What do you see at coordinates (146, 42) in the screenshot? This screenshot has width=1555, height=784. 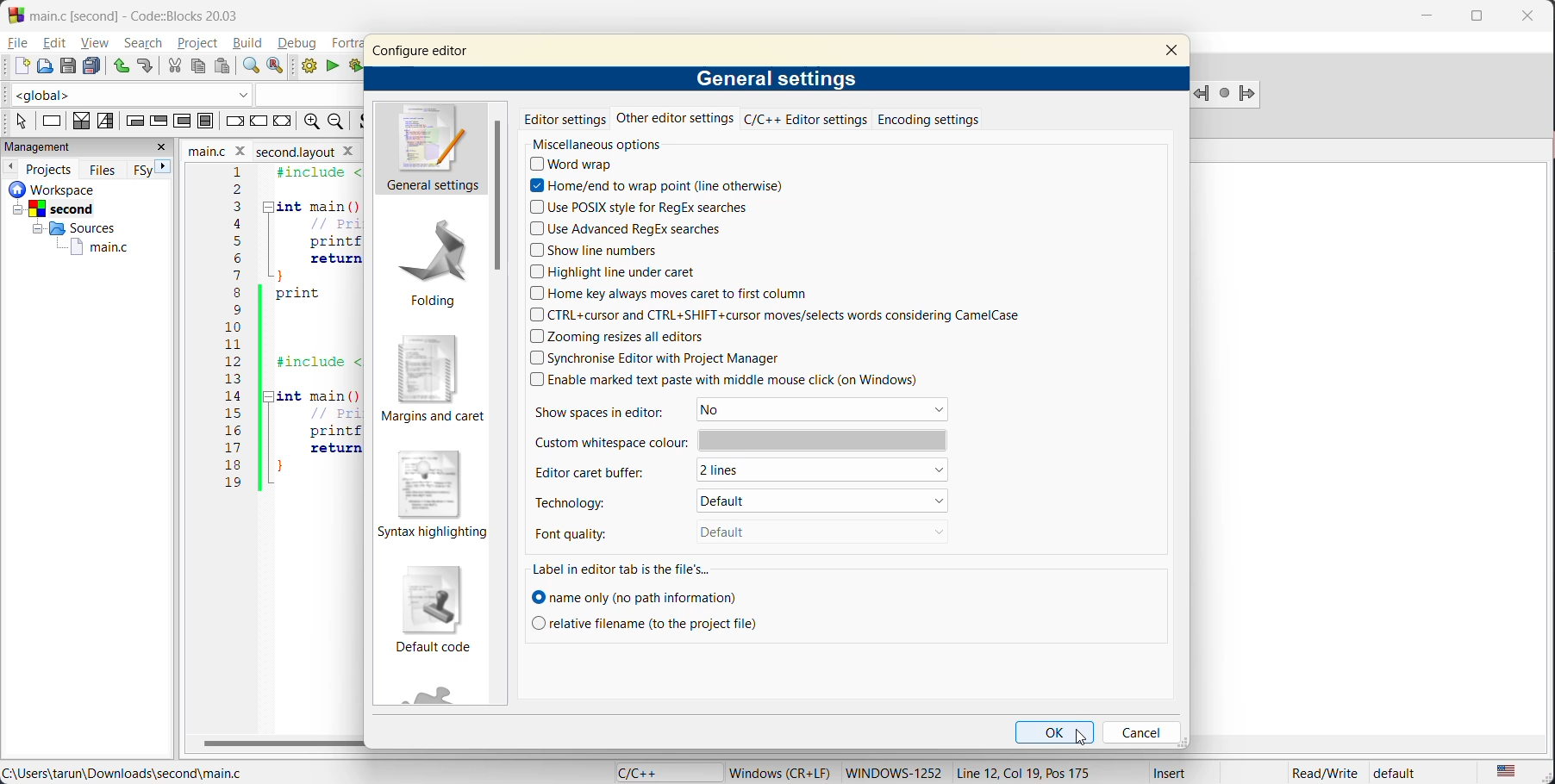 I see `search` at bounding box center [146, 42].